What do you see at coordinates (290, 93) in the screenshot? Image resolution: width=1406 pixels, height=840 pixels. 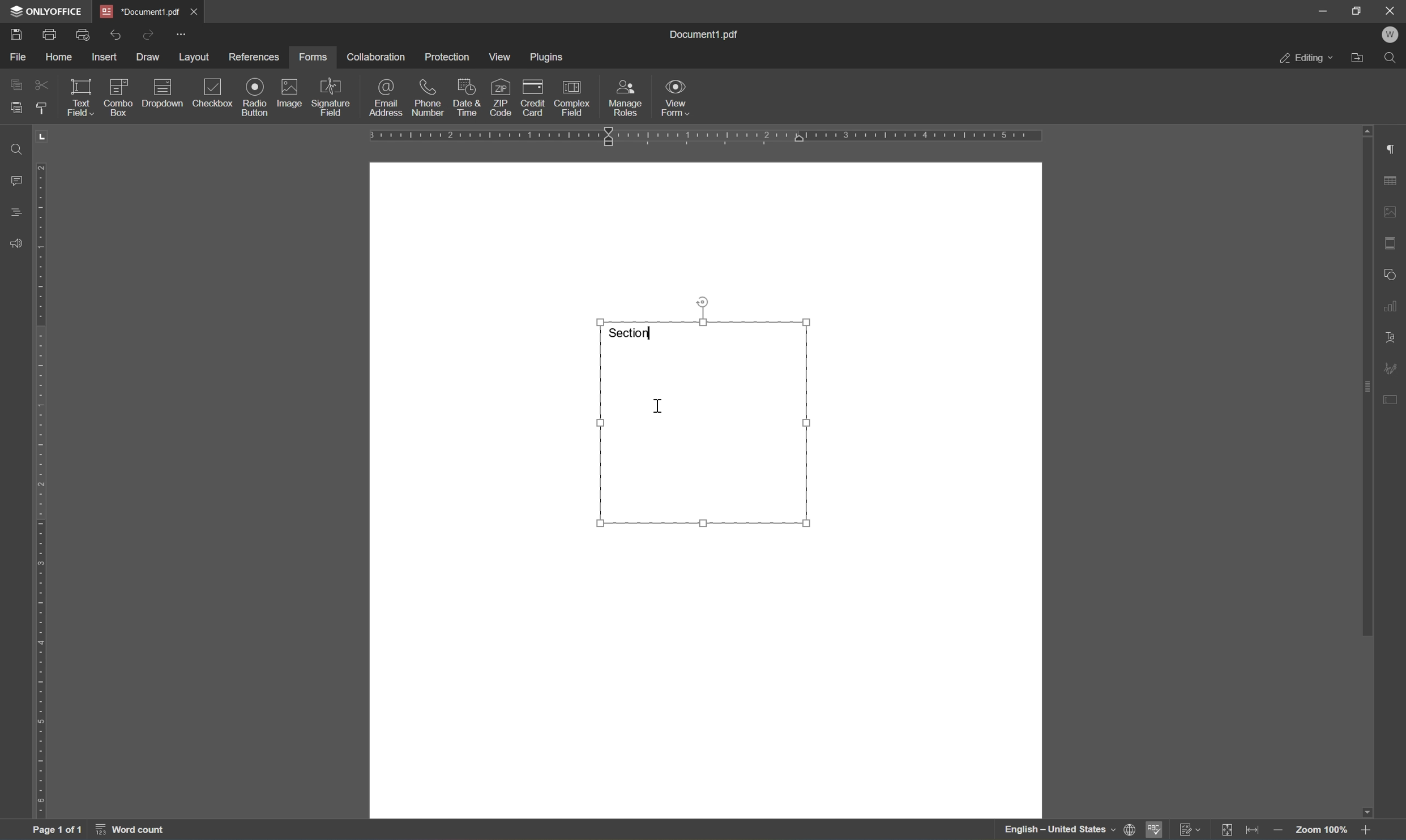 I see `image` at bounding box center [290, 93].